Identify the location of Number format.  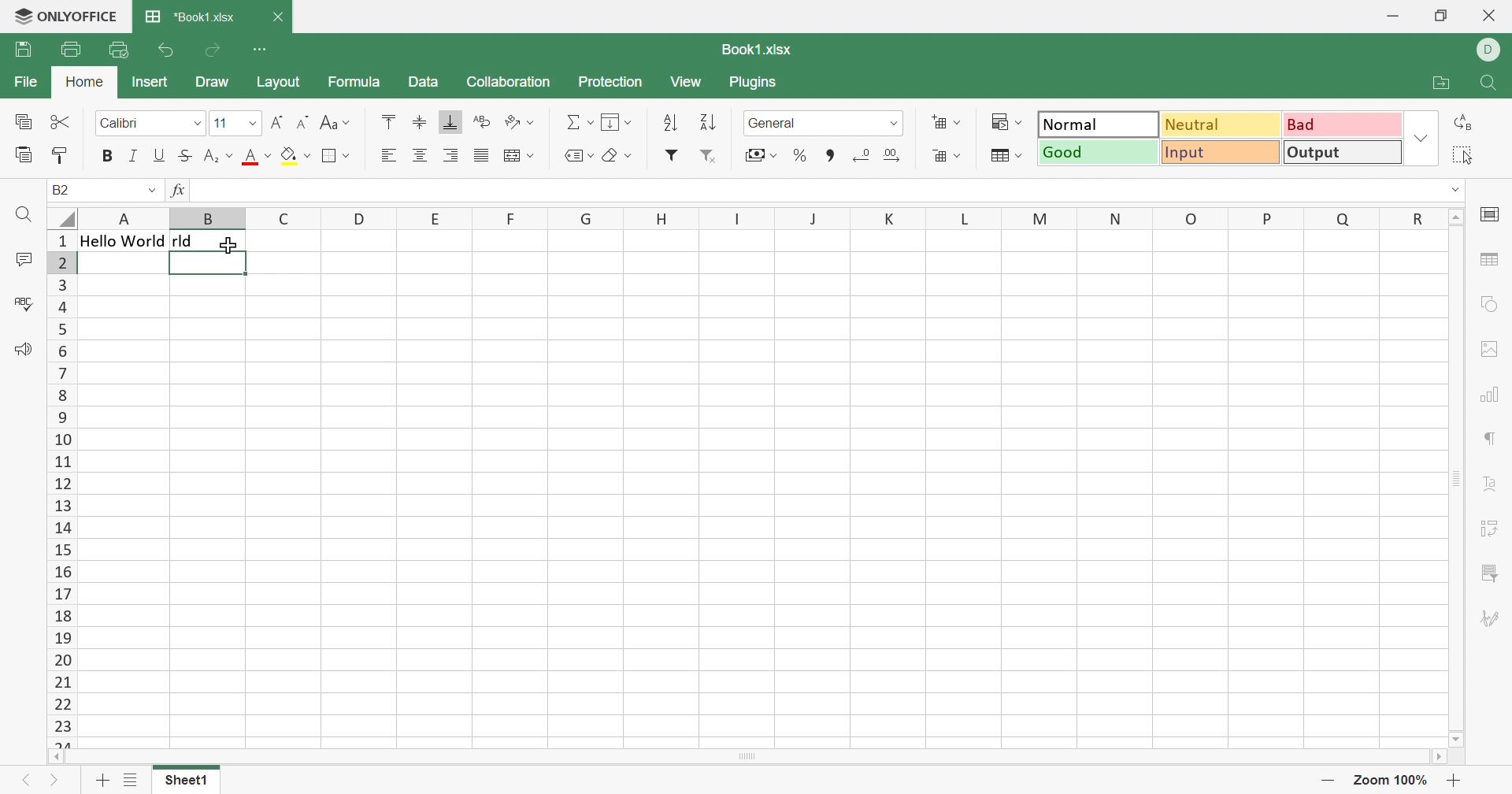
(817, 121).